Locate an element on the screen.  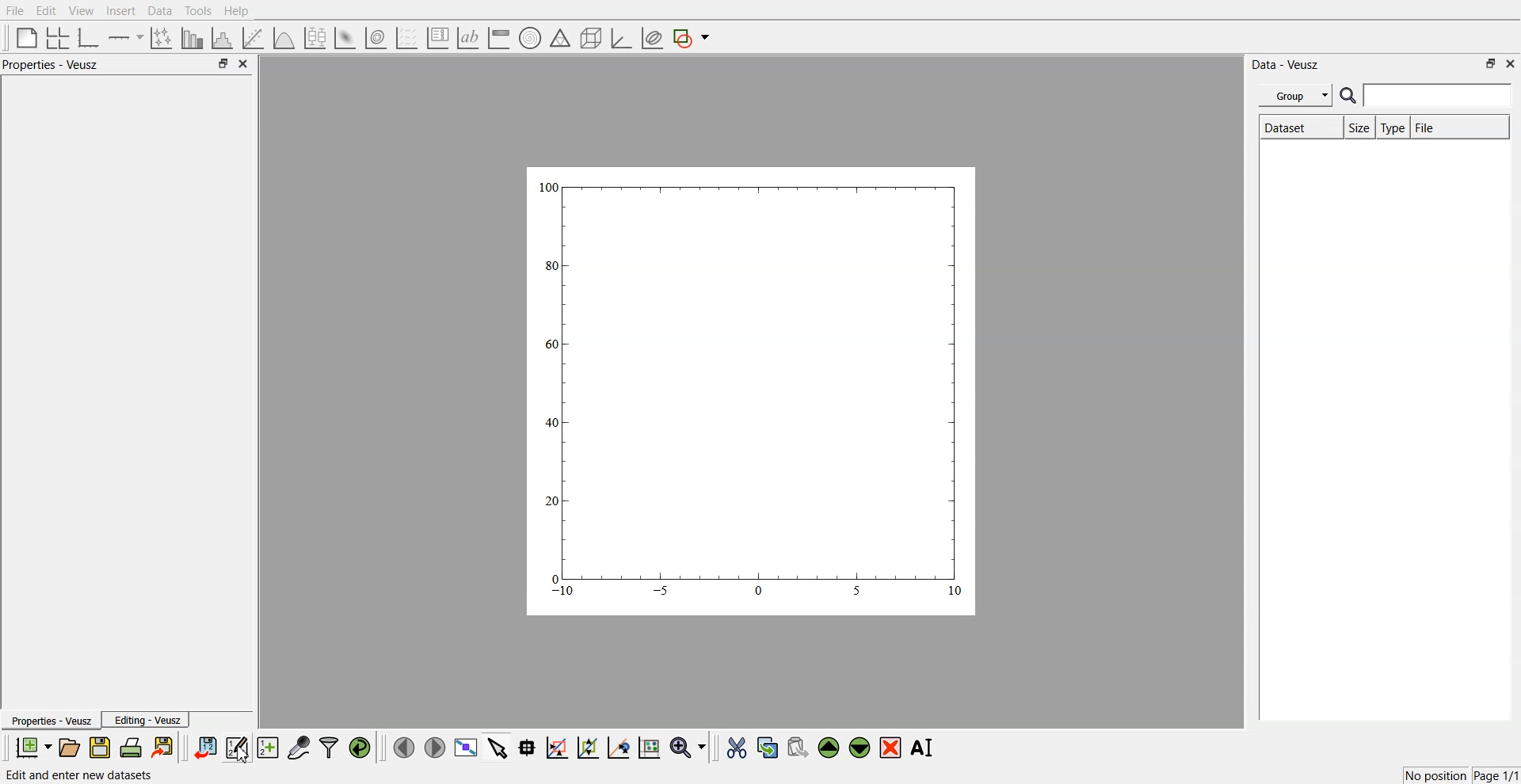
image color bar is located at coordinates (498, 39).